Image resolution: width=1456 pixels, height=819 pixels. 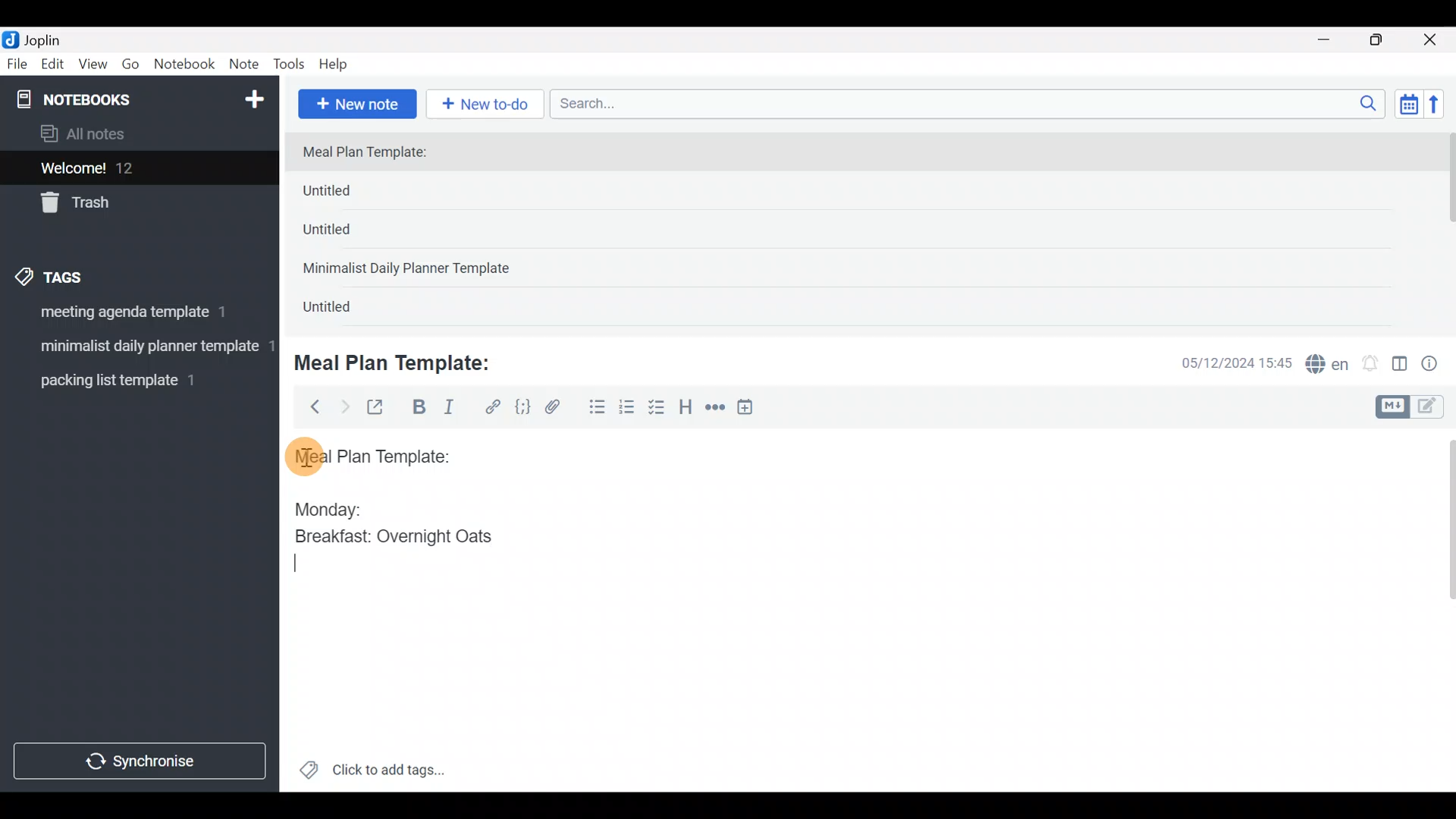 What do you see at coordinates (247, 65) in the screenshot?
I see `Note` at bounding box center [247, 65].